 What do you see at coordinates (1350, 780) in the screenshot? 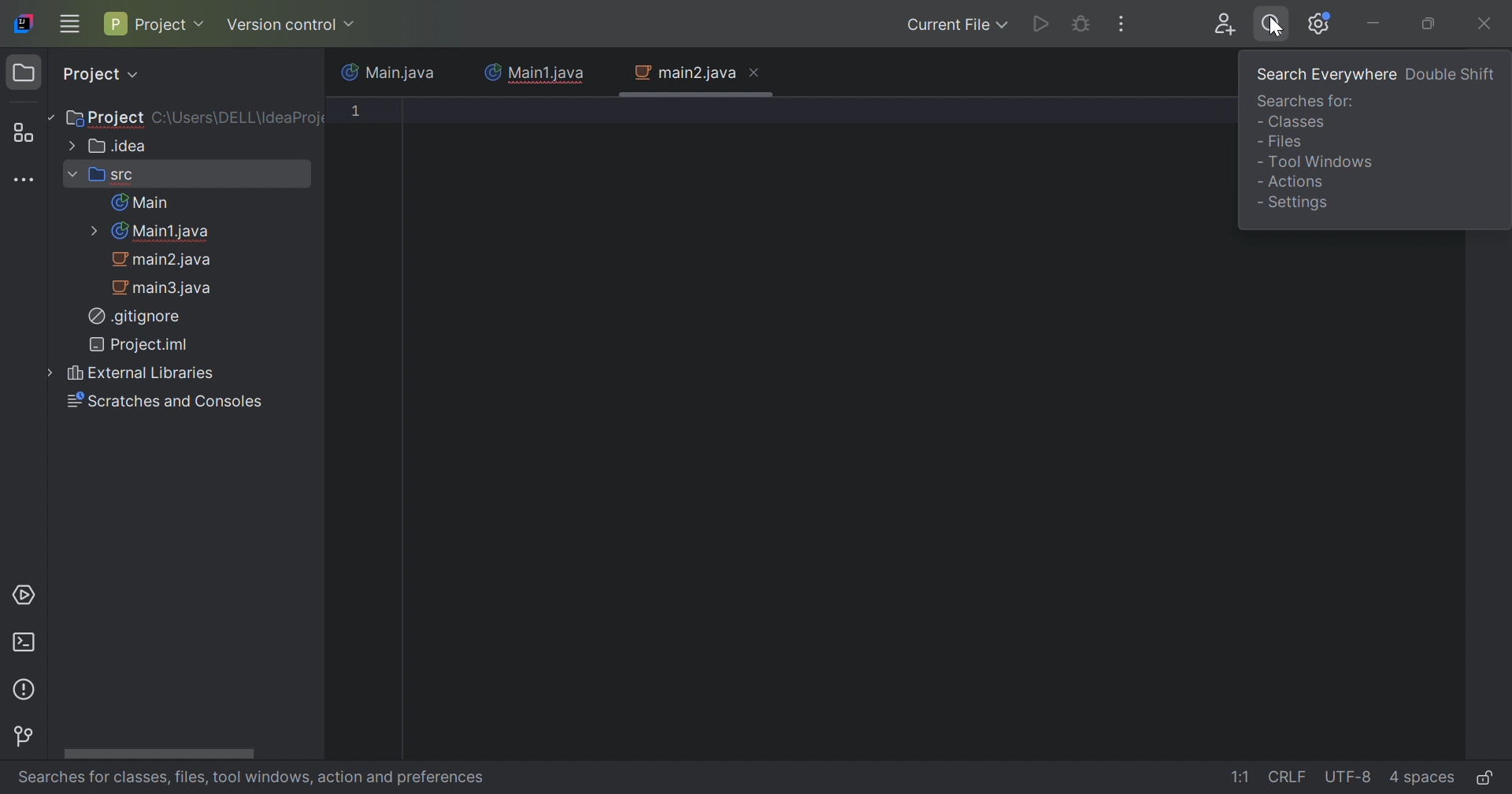
I see `UTF-8` at bounding box center [1350, 780].